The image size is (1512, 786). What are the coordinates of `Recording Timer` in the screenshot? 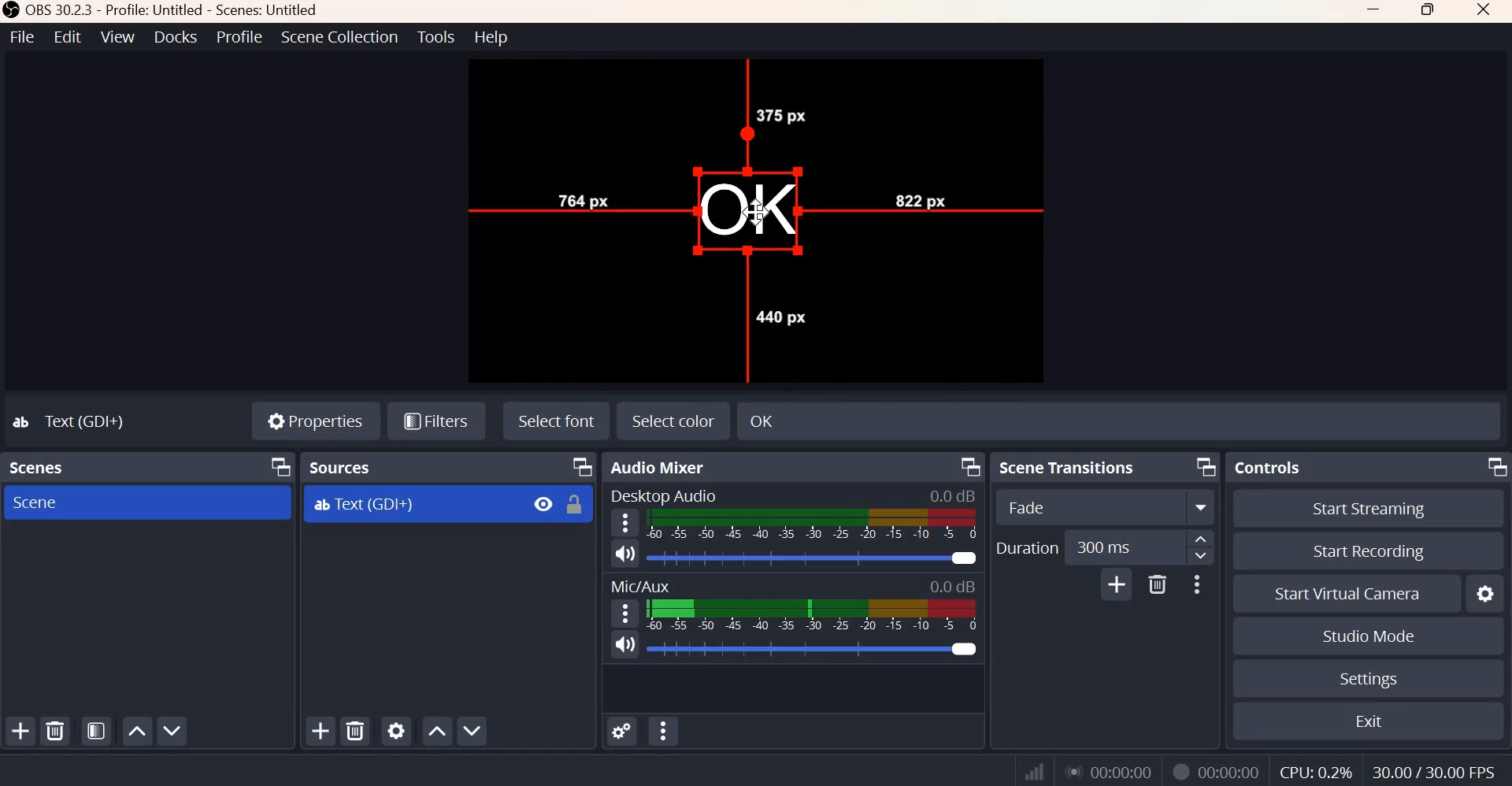 It's located at (1232, 770).